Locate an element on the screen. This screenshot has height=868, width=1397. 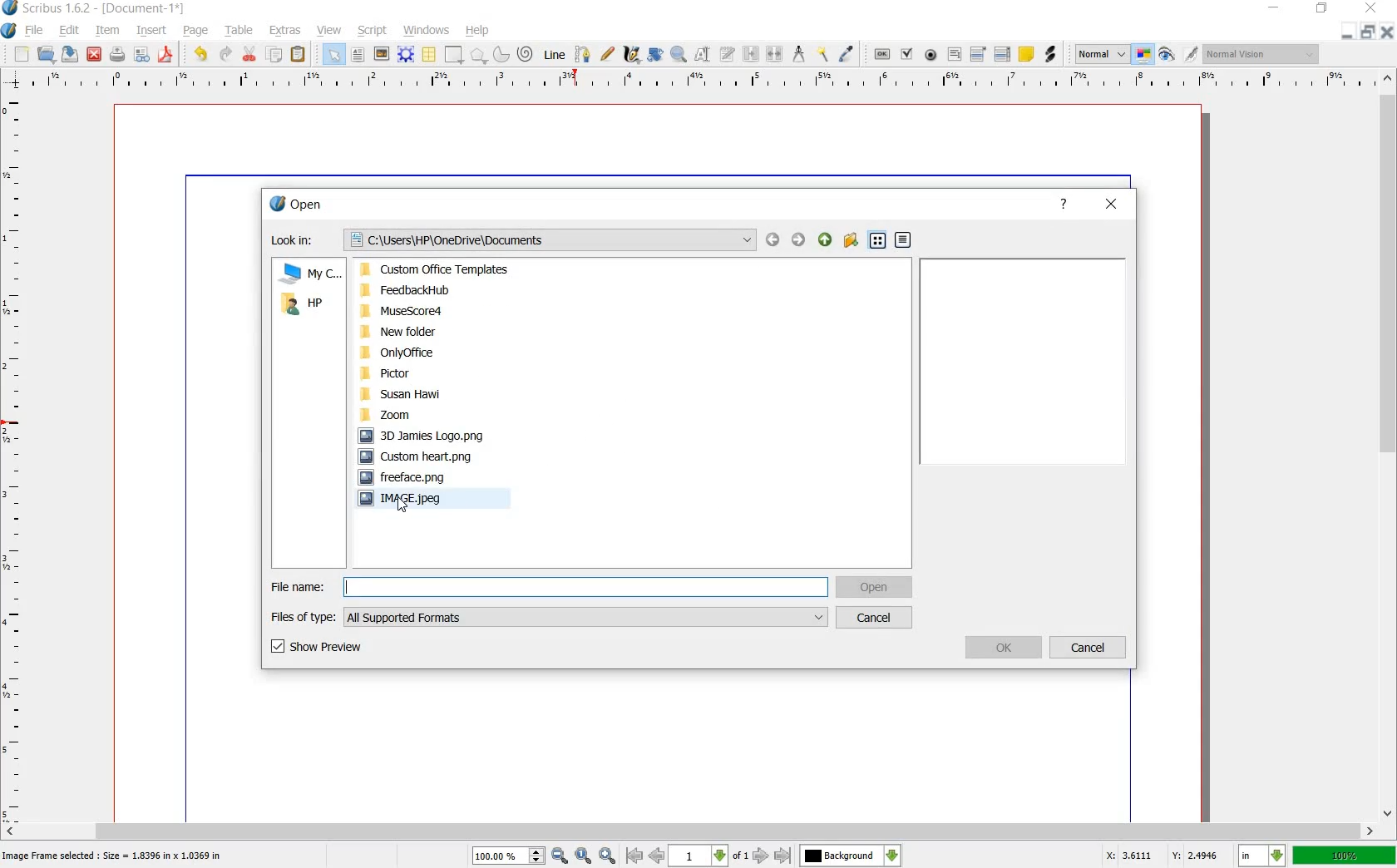
text frame is located at coordinates (357, 55).